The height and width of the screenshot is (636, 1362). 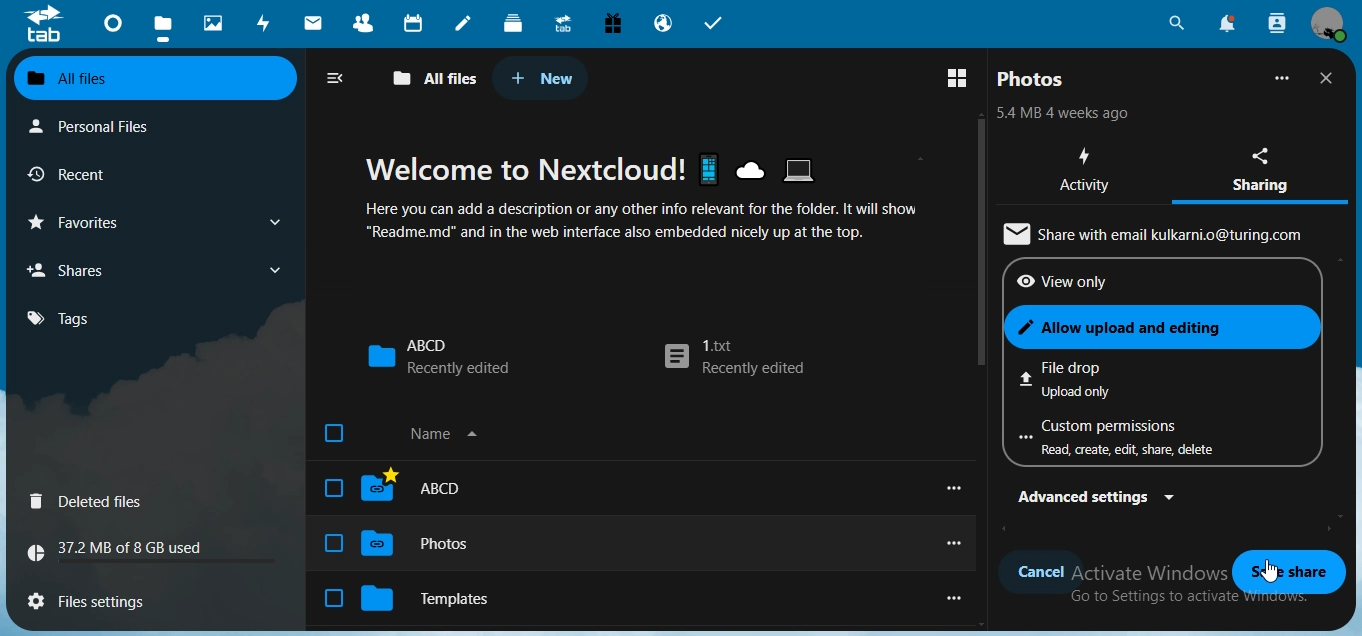 I want to click on files, so click(x=163, y=30).